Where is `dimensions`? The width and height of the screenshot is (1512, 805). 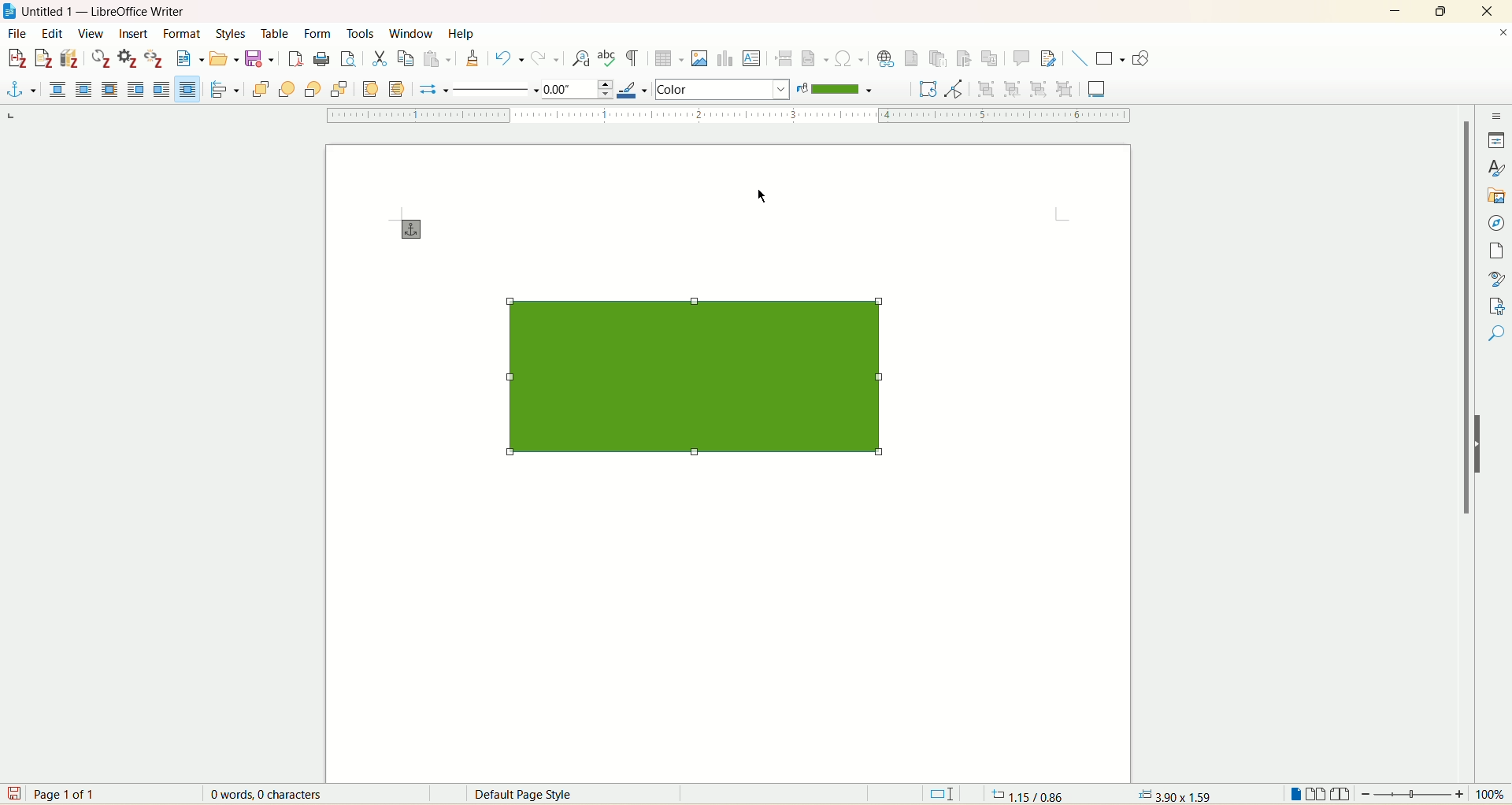 dimensions is located at coordinates (1174, 793).